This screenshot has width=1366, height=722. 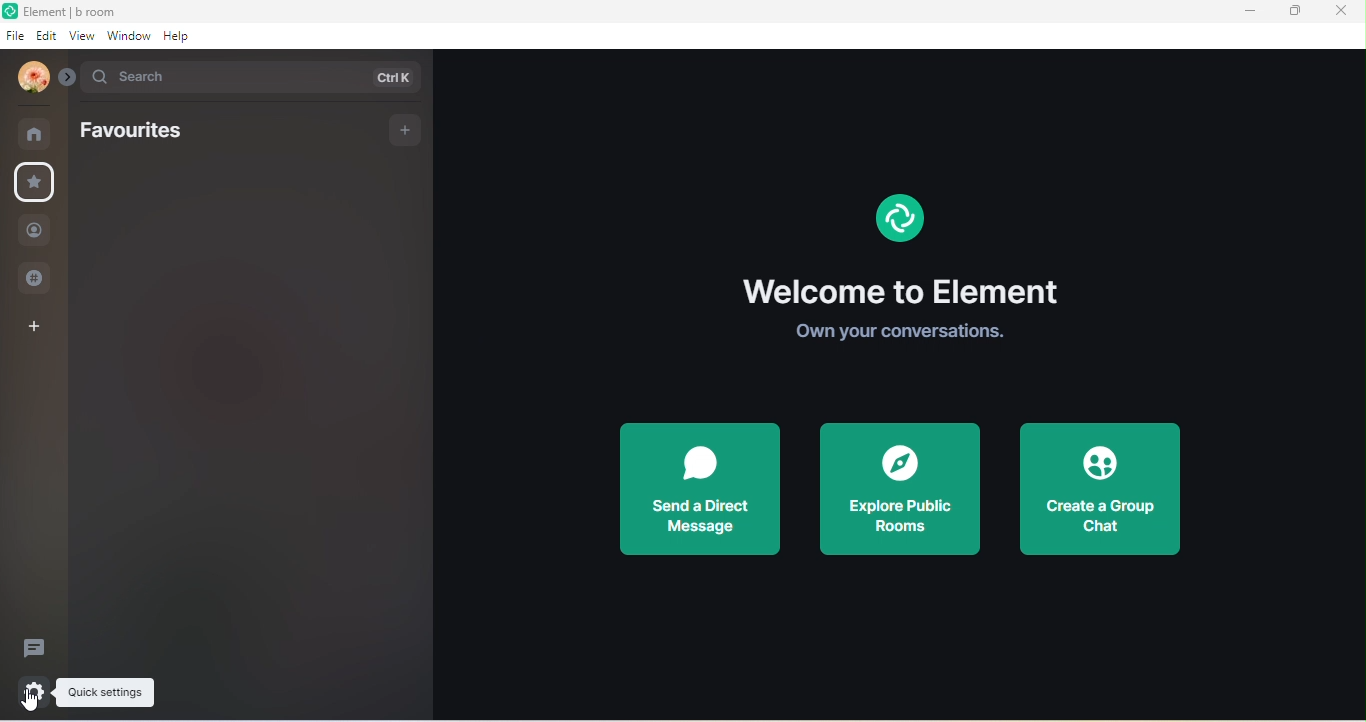 What do you see at coordinates (405, 131) in the screenshot?
I see `add` at bounding box center [405, 131].